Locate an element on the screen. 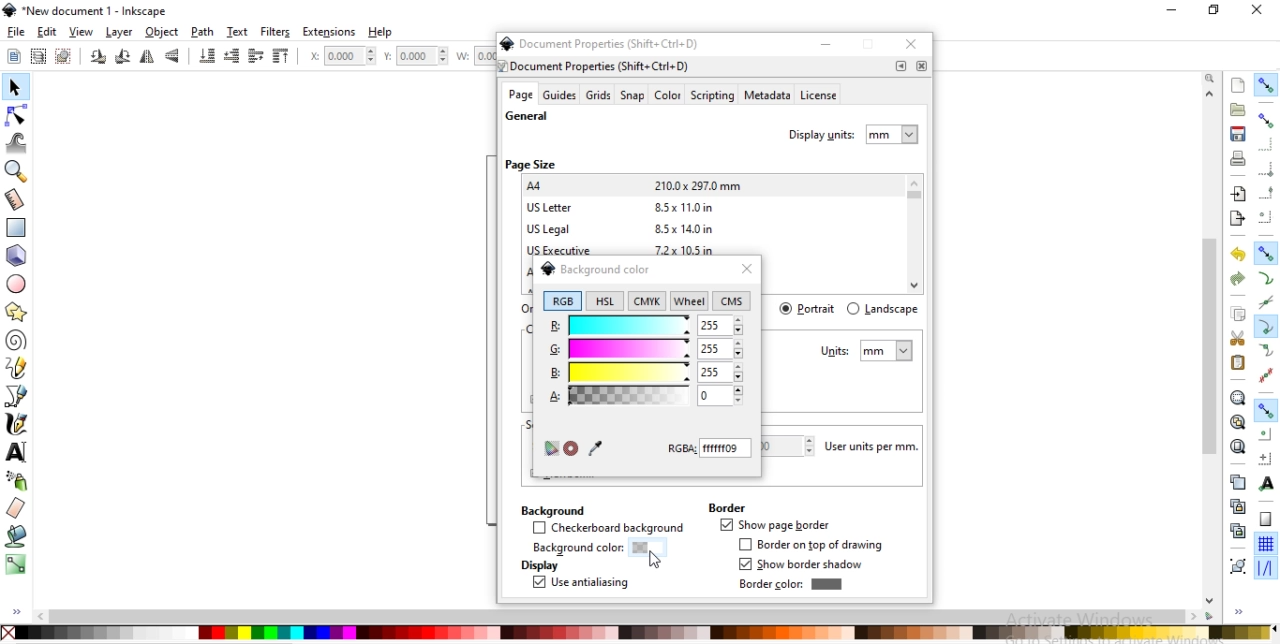 The width and height of the screenshot is (1280, 644). bordercolor is located at coordinates (790, 584).